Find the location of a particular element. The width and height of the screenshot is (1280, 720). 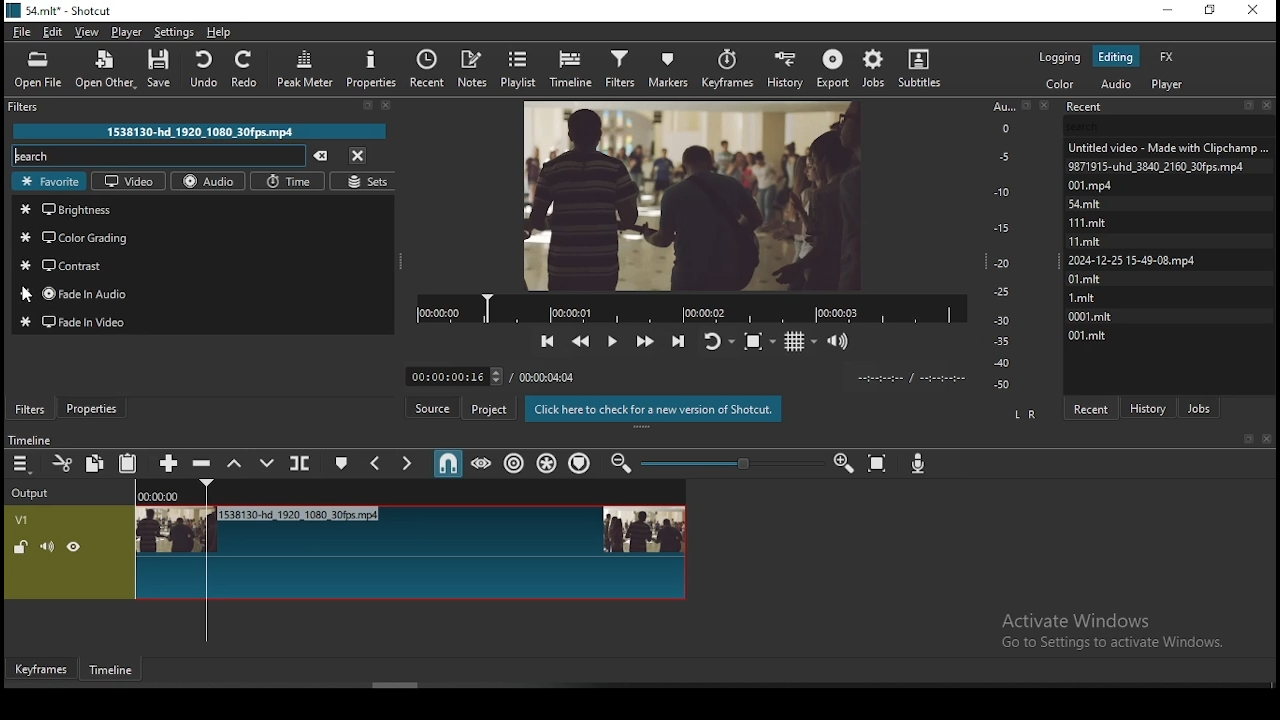

peak meter is located at coordinates (303, 68).